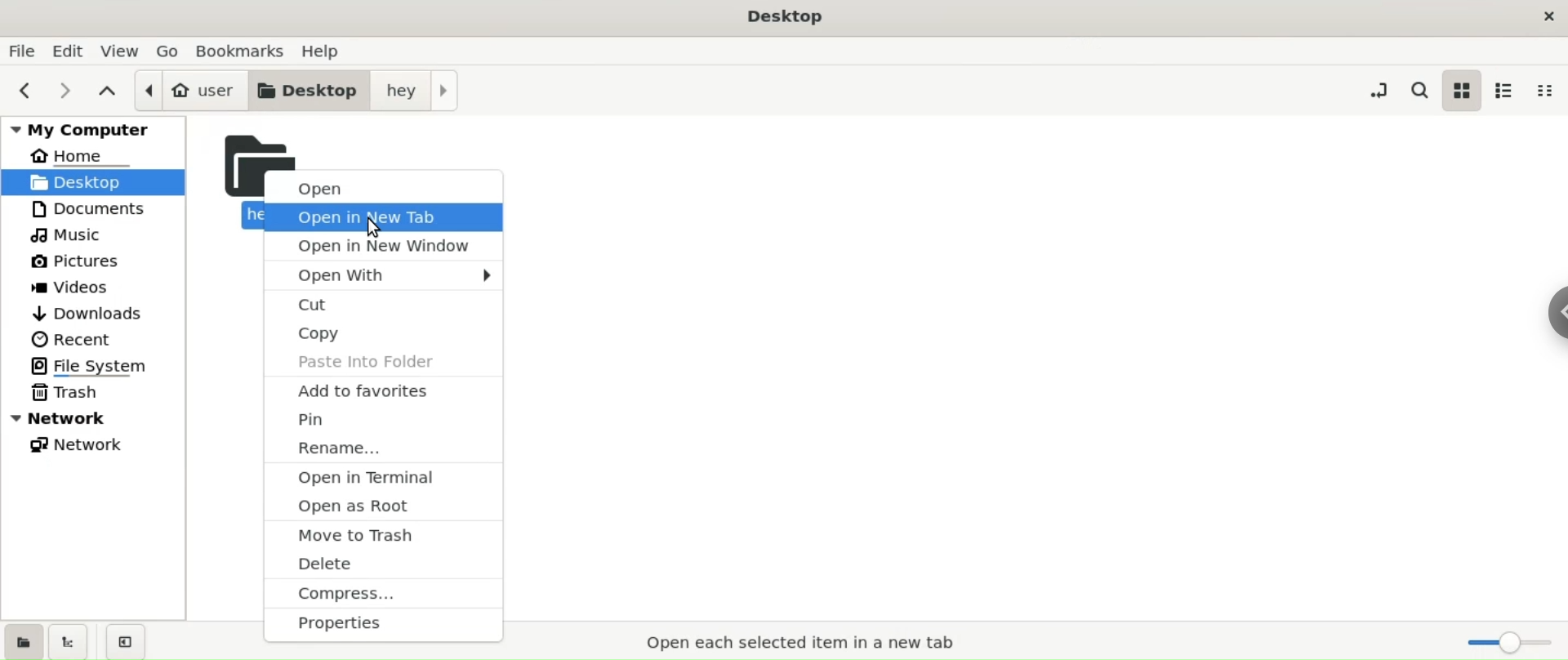 The width and height of the screenshot is (1568, 660). I want to click on properties, so click(383, 627).